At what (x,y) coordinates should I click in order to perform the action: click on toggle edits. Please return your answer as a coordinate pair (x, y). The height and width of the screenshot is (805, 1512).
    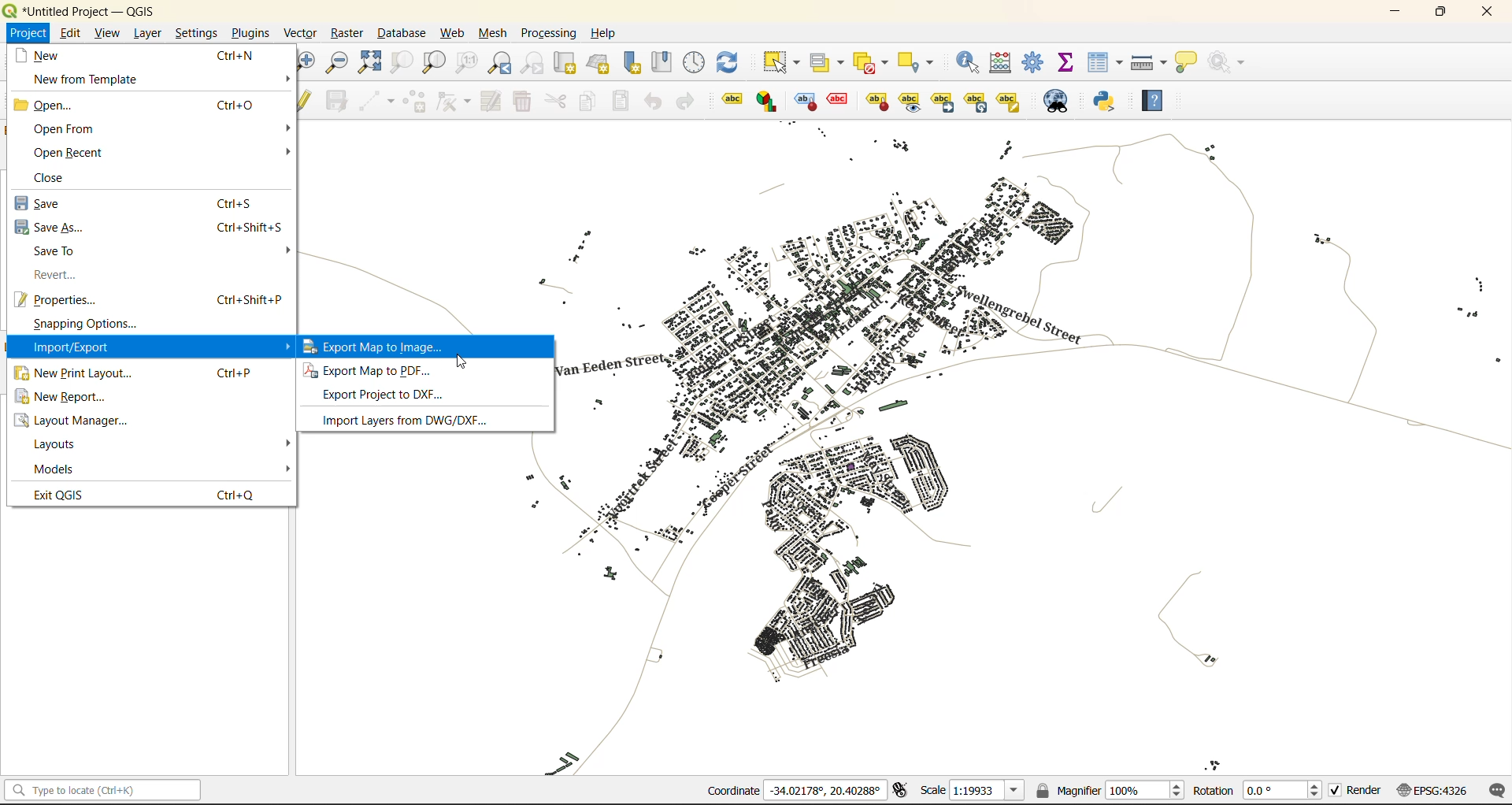
    Looking at the image, I should click on (306, 101).